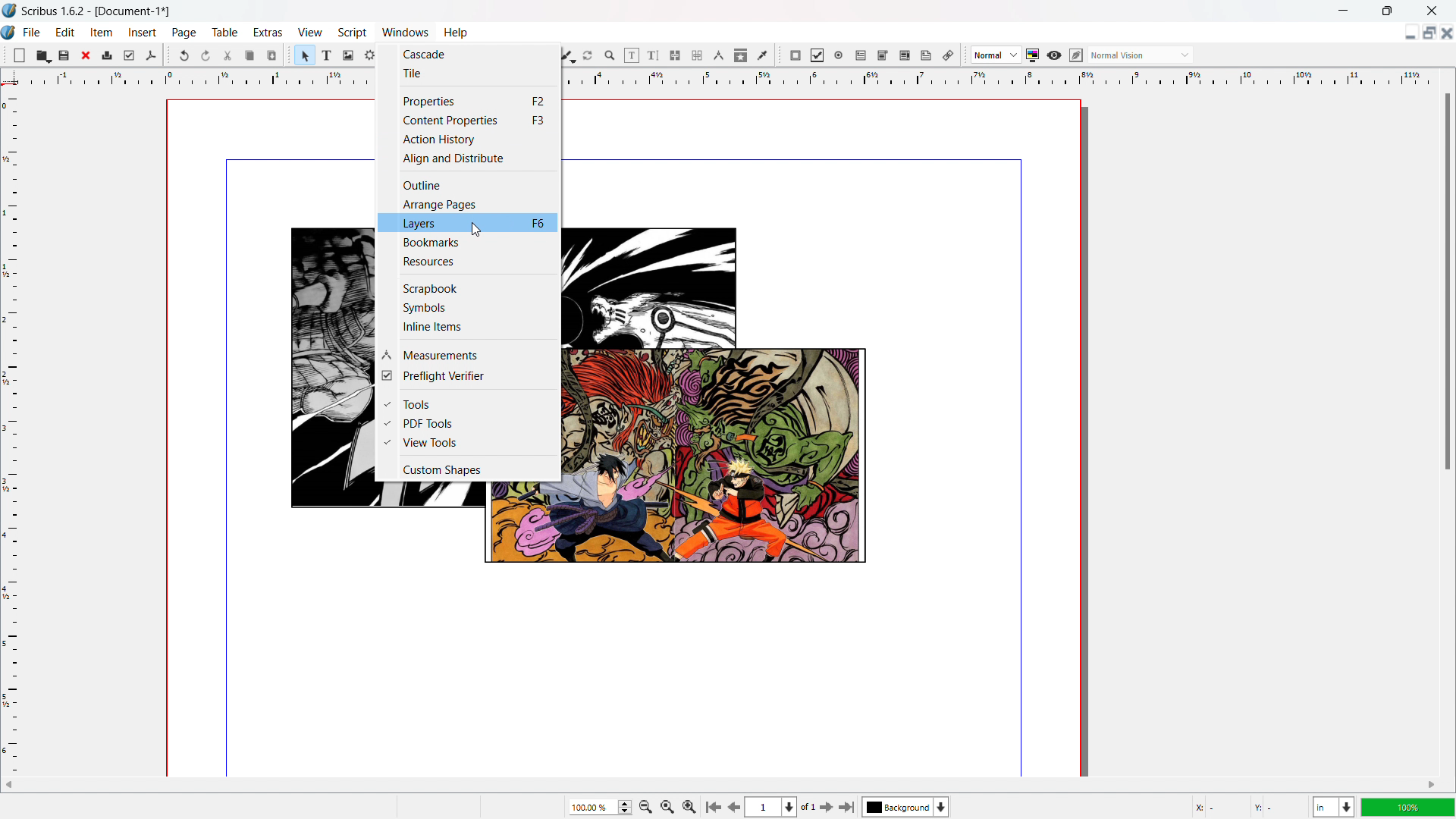 This screenshot has width=1456, height=819. Describe the element at coordinates (808, 808) in the screenshot. I see `of 1` at that location.